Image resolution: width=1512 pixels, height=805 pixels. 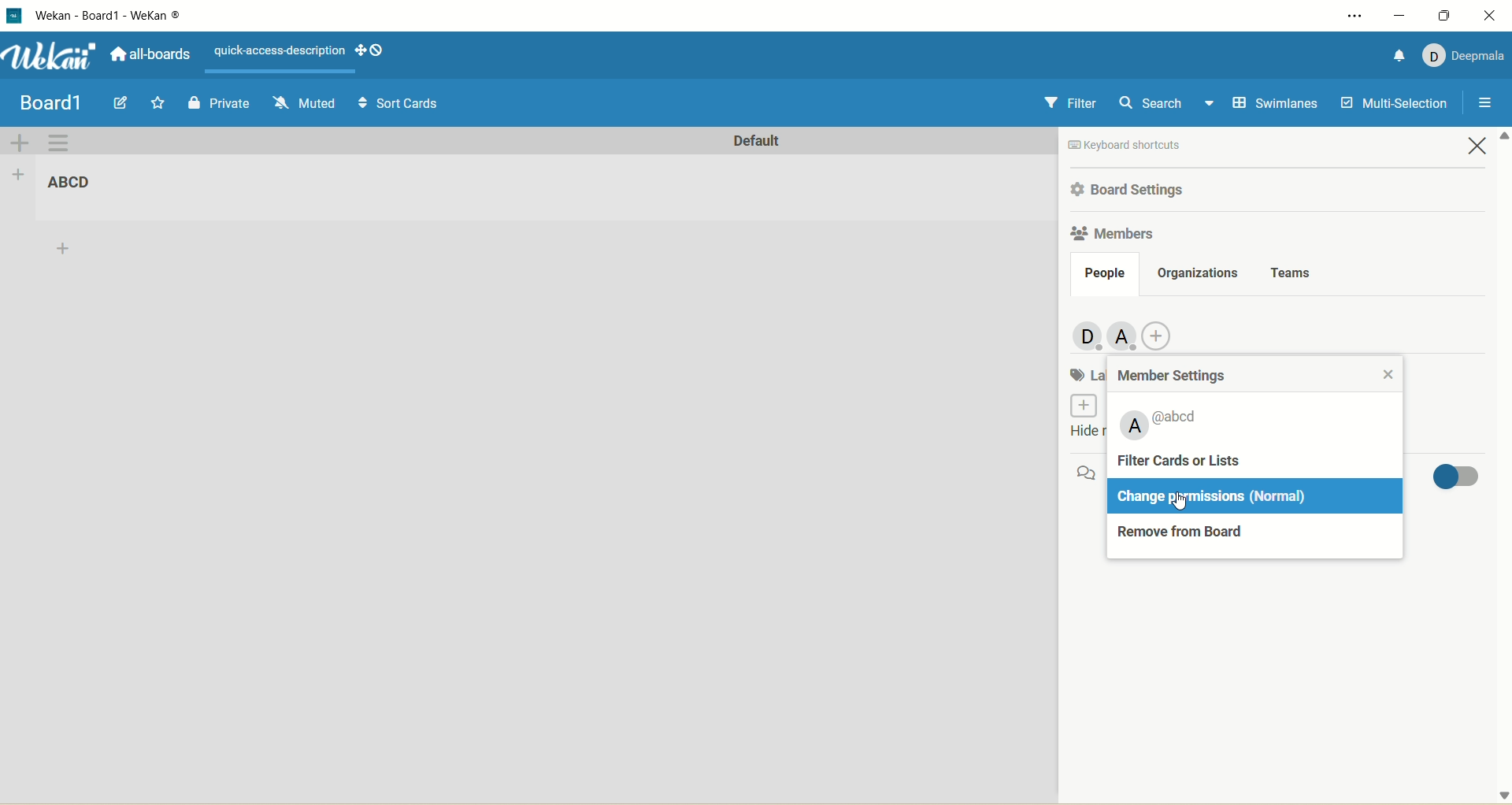 What do you see at coordinates (1397, 15) in the screenshot?
I see `minimize` at bounding box center [1397, 15].